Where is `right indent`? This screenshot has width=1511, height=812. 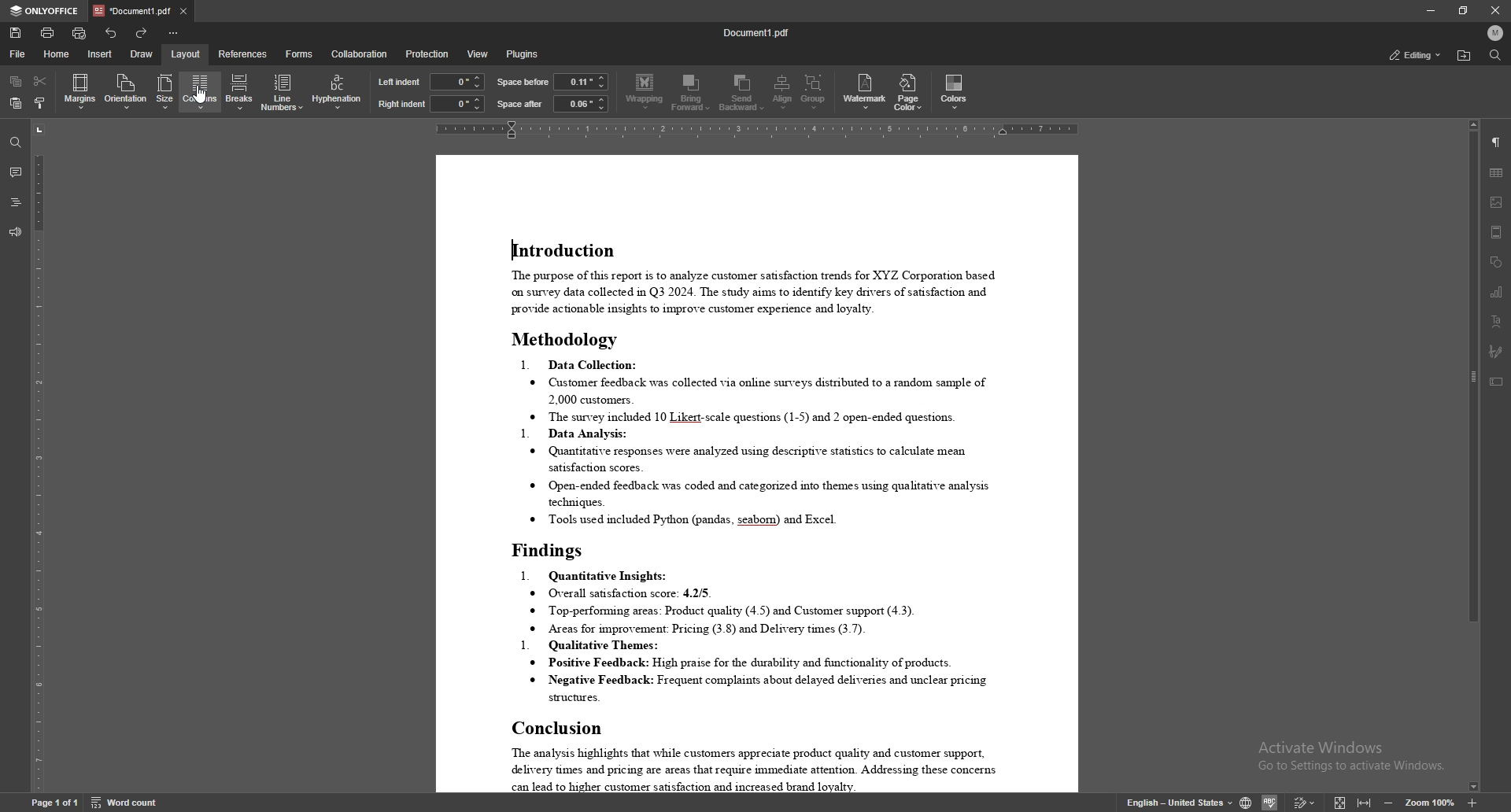 right indent is located at coordinates (402, 104).